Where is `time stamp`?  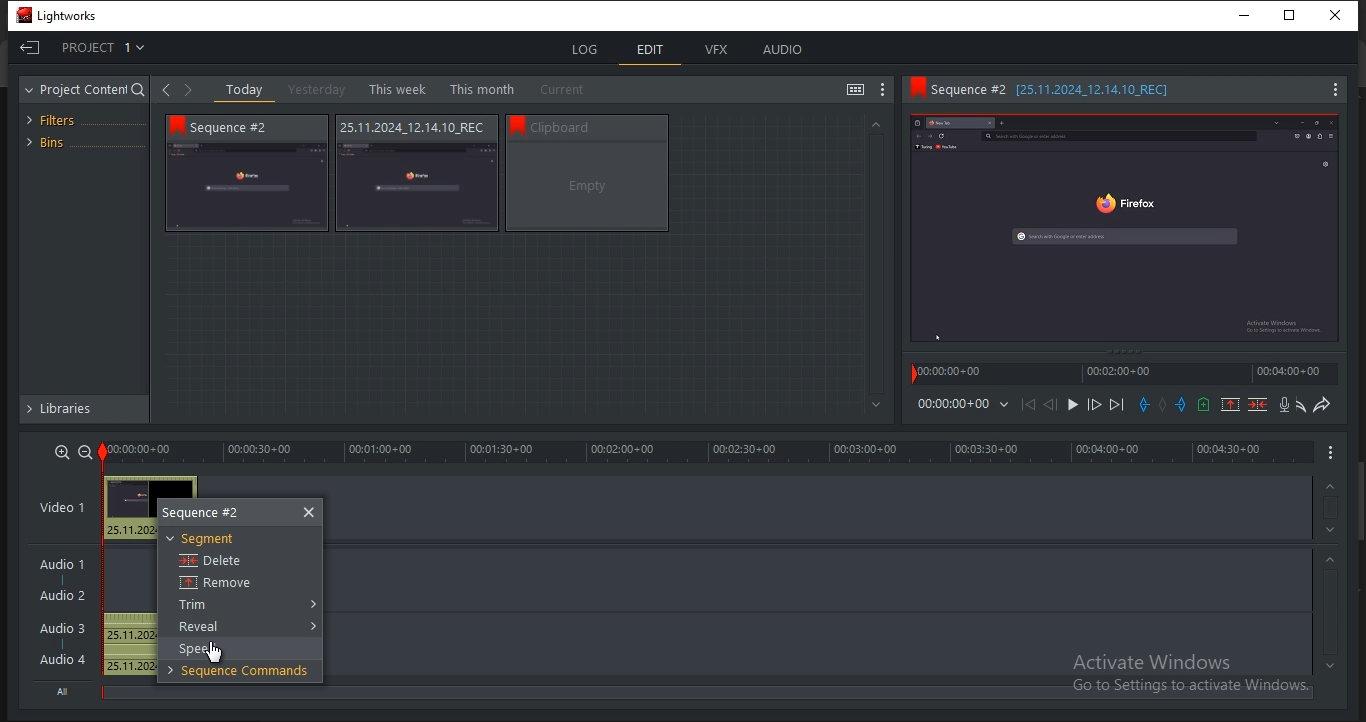 time stamp is located at coordinates (951, 374).